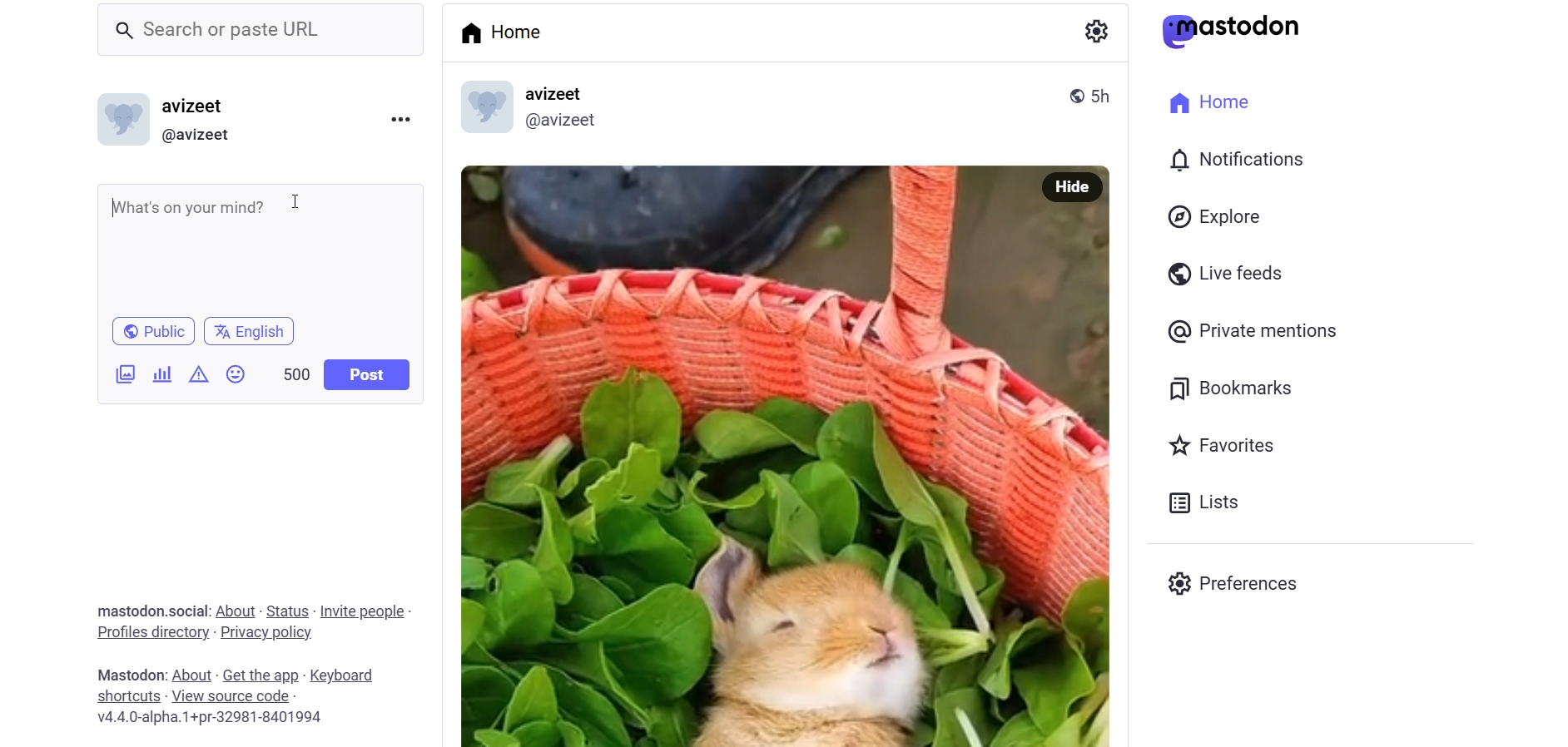 The height and width of the screenshot is (747, 1568). I want to click on name, so click(558, 93).